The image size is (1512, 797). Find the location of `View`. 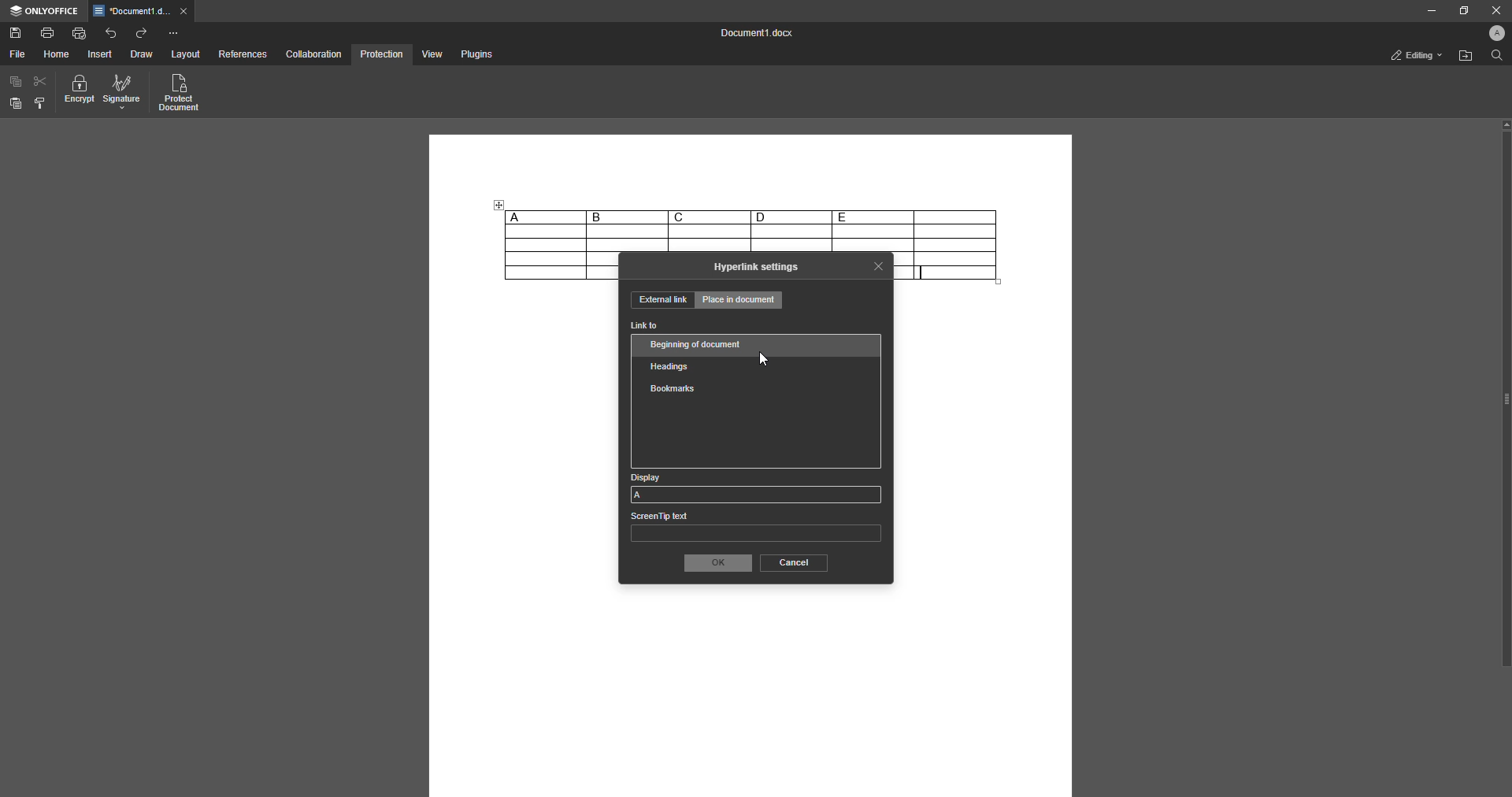

View is located at coordinates (430, 55).